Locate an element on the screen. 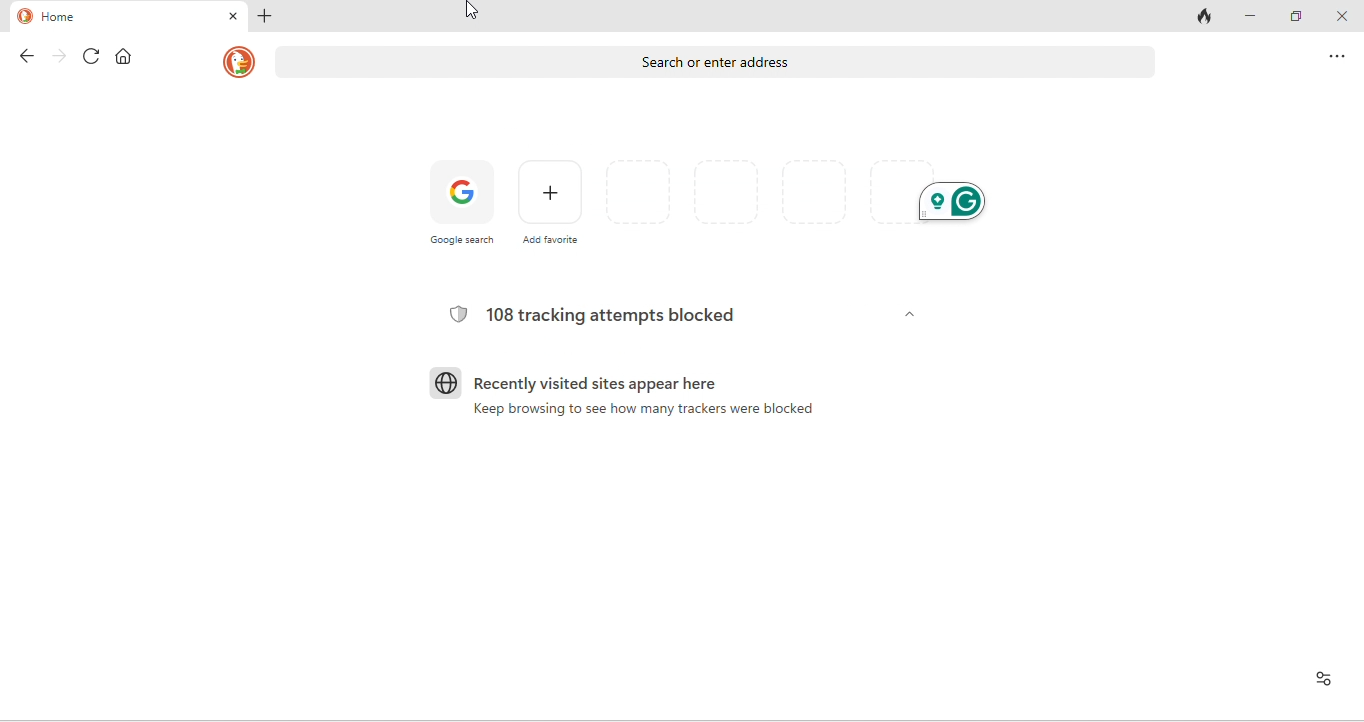  add new tab is located at coordinates (268, 17).